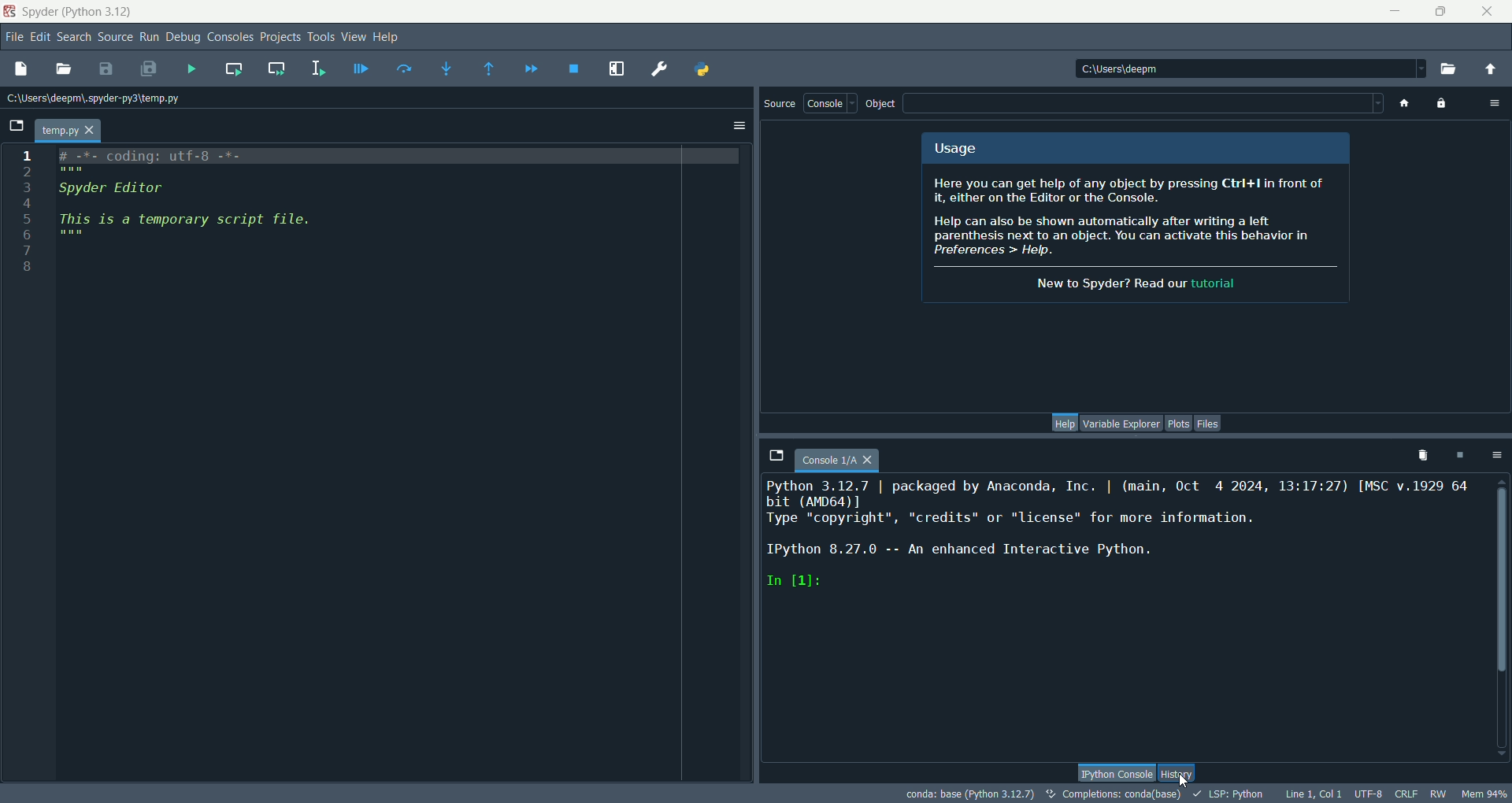  Describe the element at coordinates (102, 99) in the screenshot. I see `location` at that location.